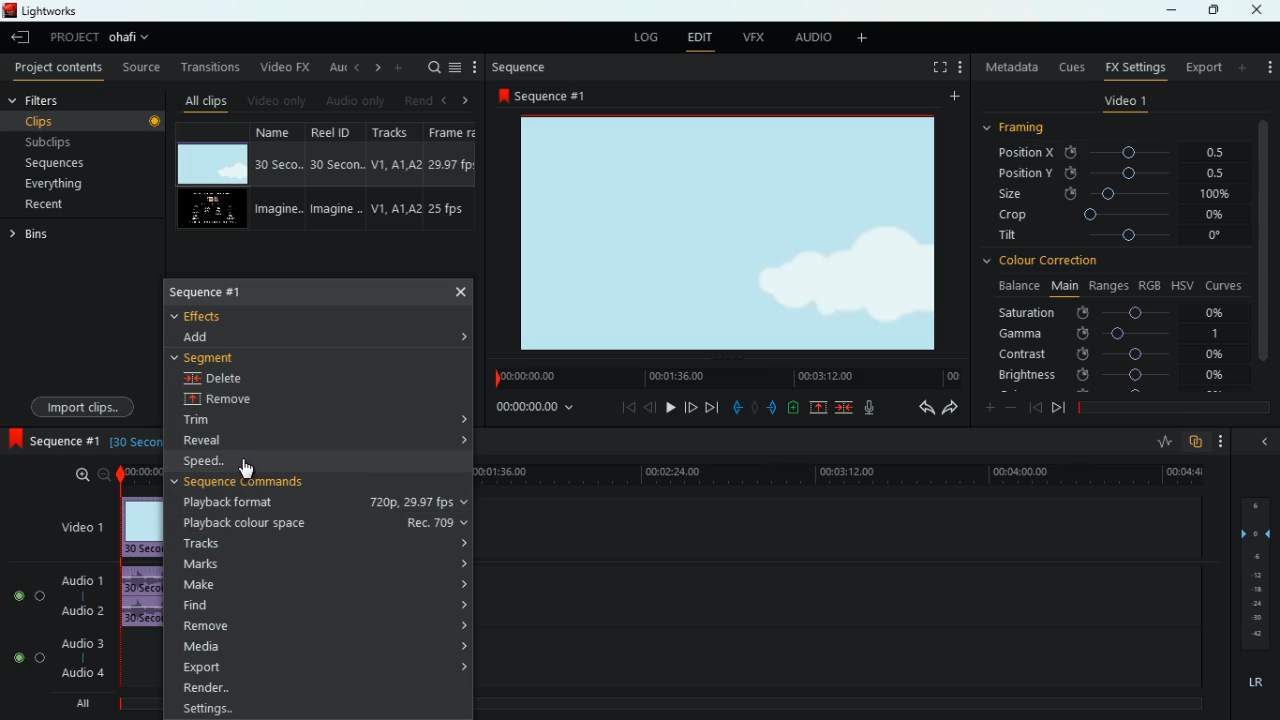  I want to click on filters, so click(42, 101).